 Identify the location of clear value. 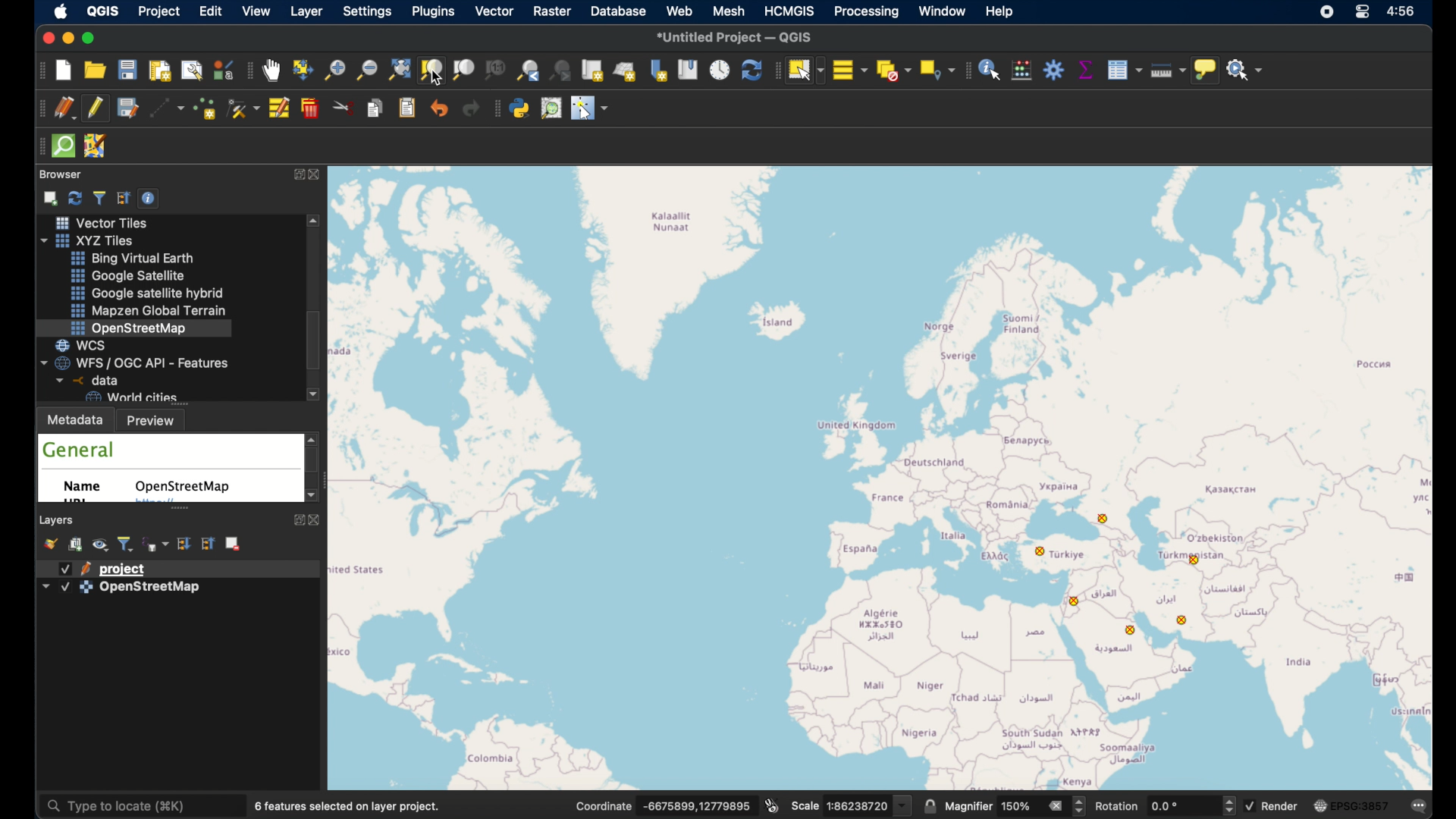
(1055, 805).